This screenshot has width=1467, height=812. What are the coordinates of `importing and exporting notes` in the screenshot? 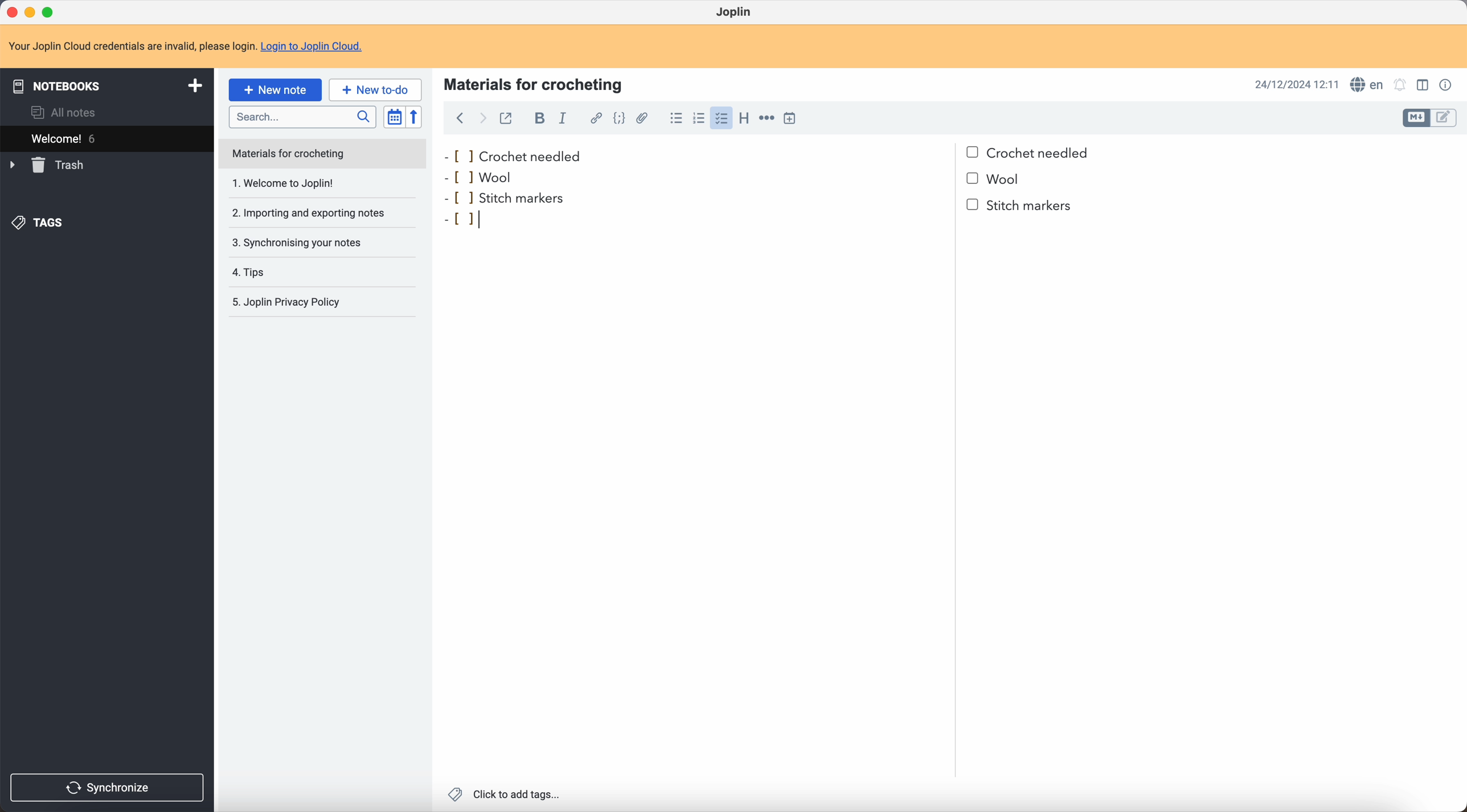 It's located at (315, 212).